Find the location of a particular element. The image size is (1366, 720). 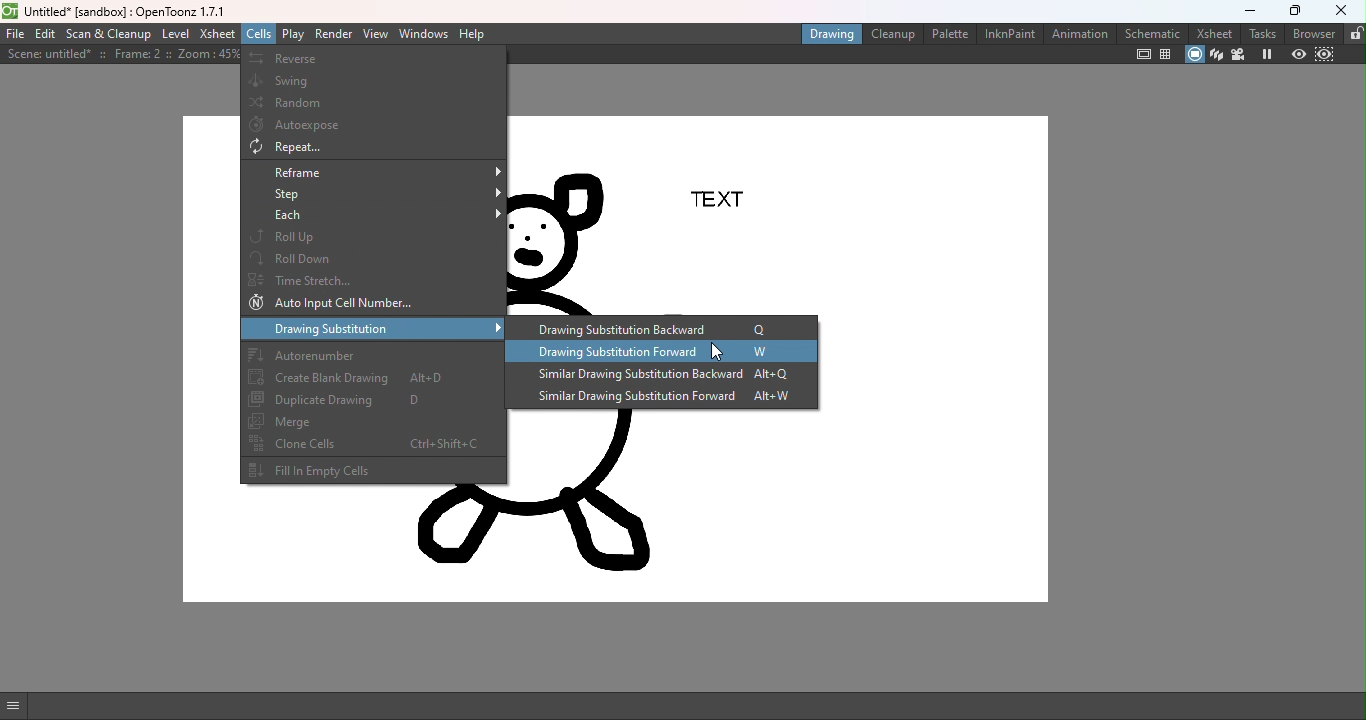

Field guide is located at coordinates (1165, 53).